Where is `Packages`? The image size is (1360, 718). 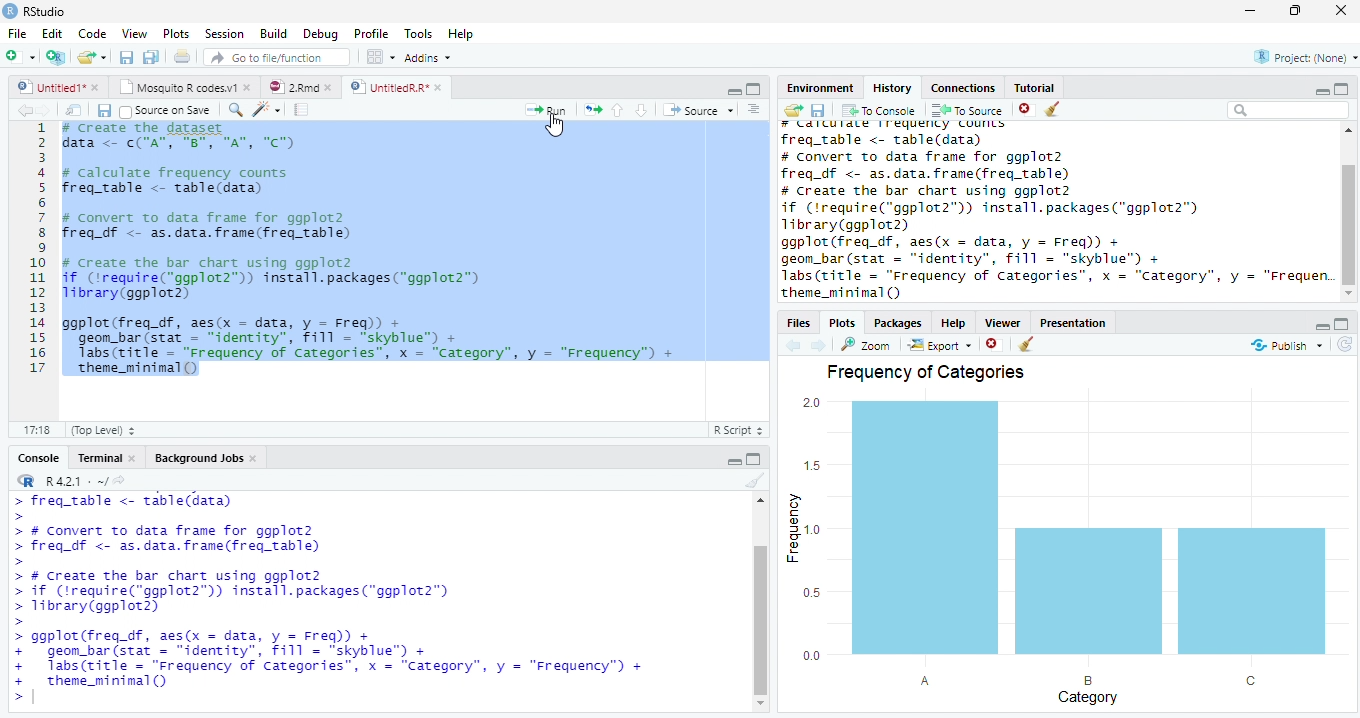
Packages is located at coordinates (900, 322).